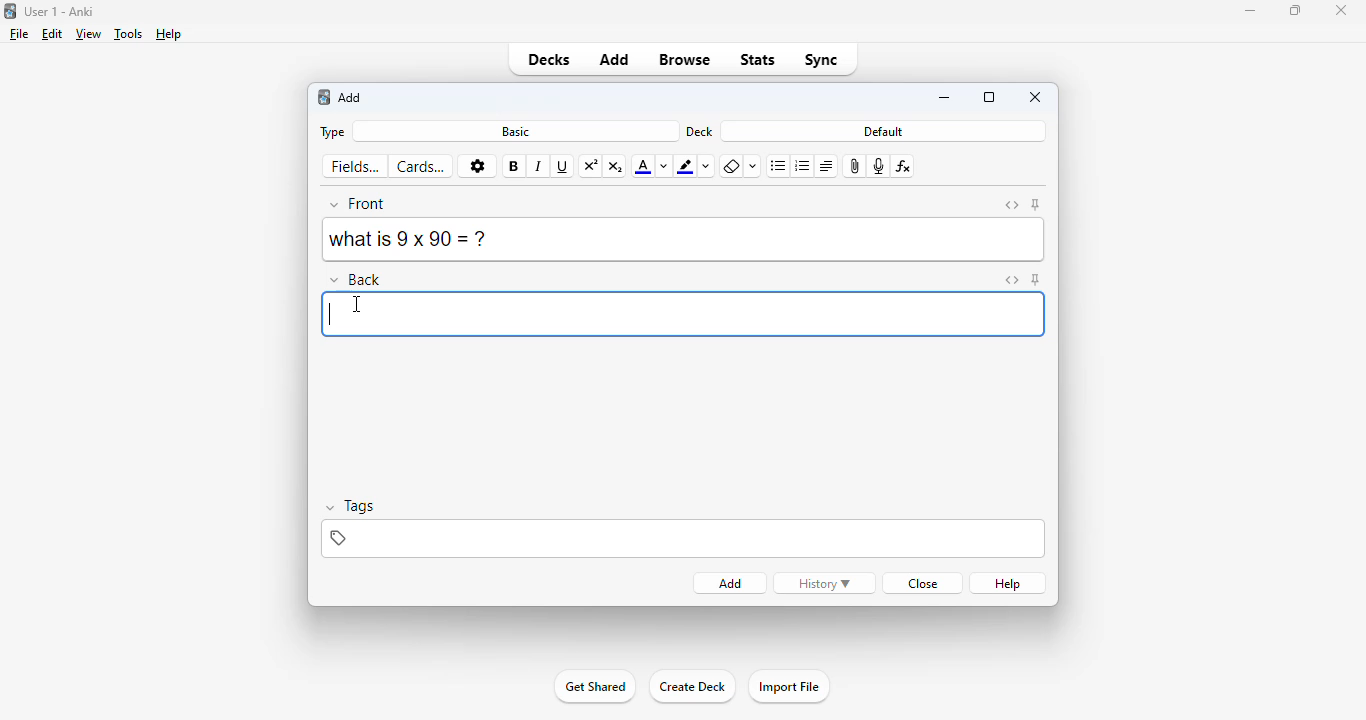 This screenshot has height=720, width=1366. What do you see at coordinates (616, 166) in the screenshot?
I see `subscript` at bounding box center [616, 166].